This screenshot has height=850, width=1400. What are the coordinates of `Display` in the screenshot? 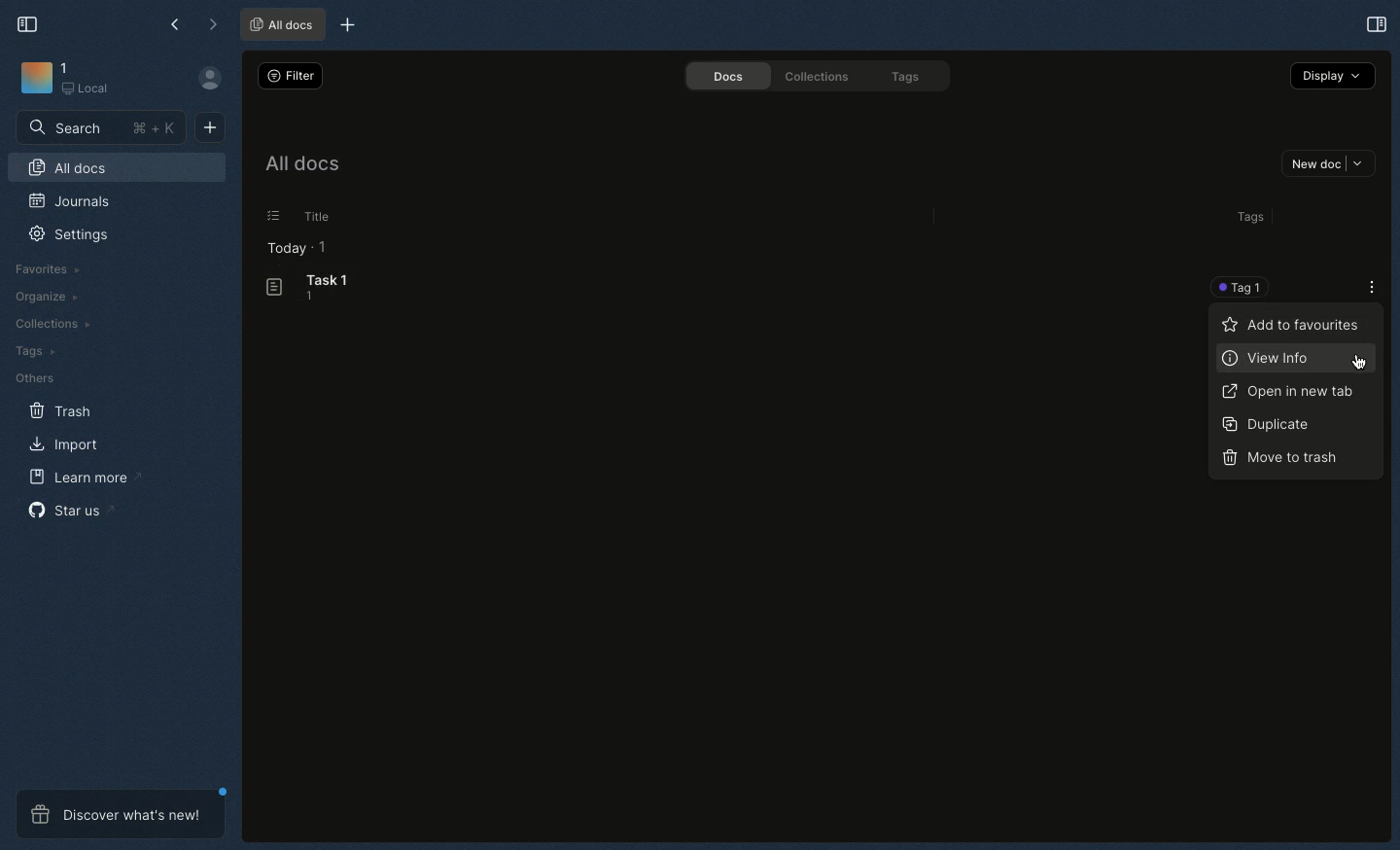 It's located at (1336, 76).